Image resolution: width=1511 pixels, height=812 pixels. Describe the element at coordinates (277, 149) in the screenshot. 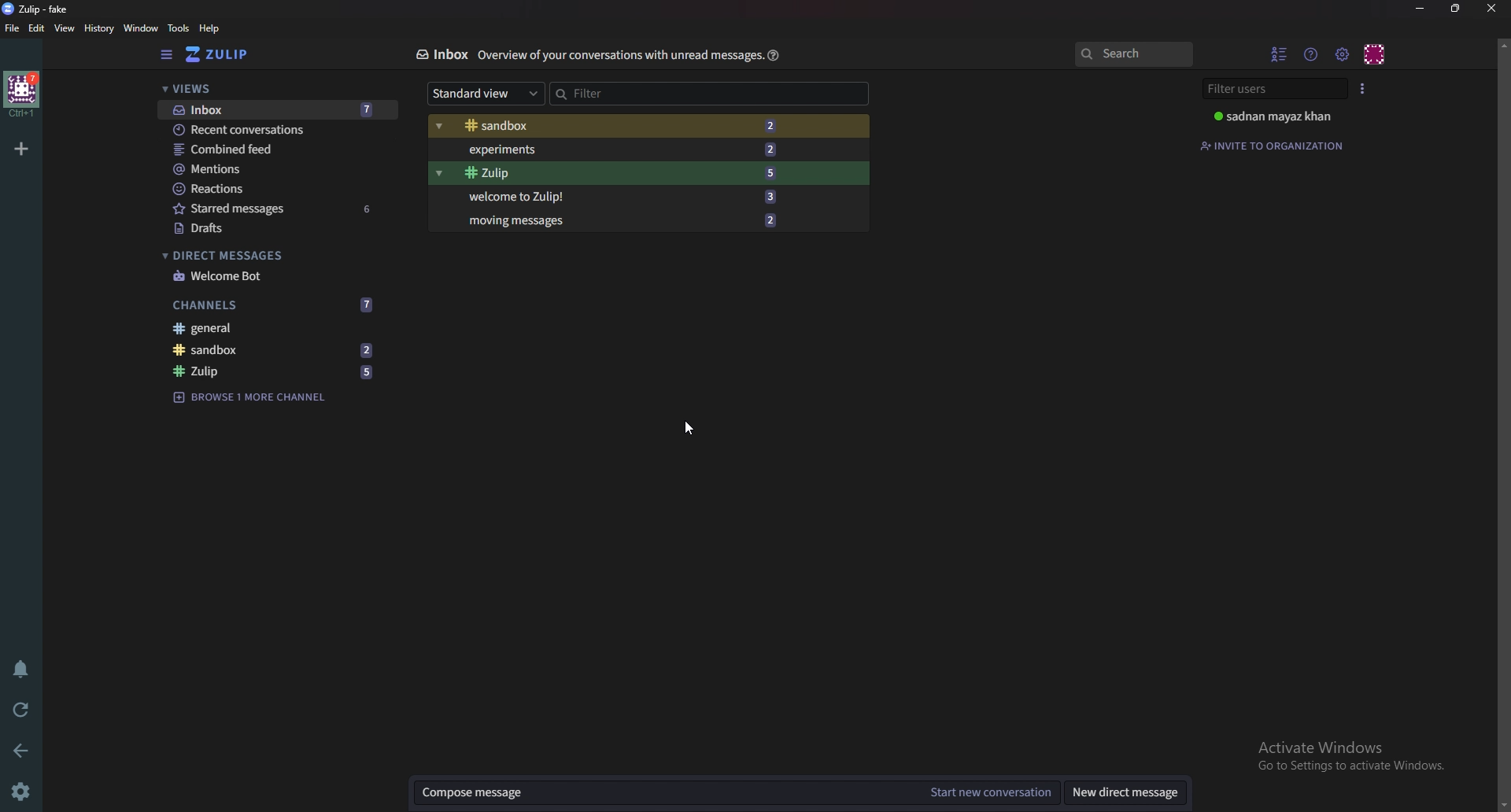

I see `combined feed` at that location.